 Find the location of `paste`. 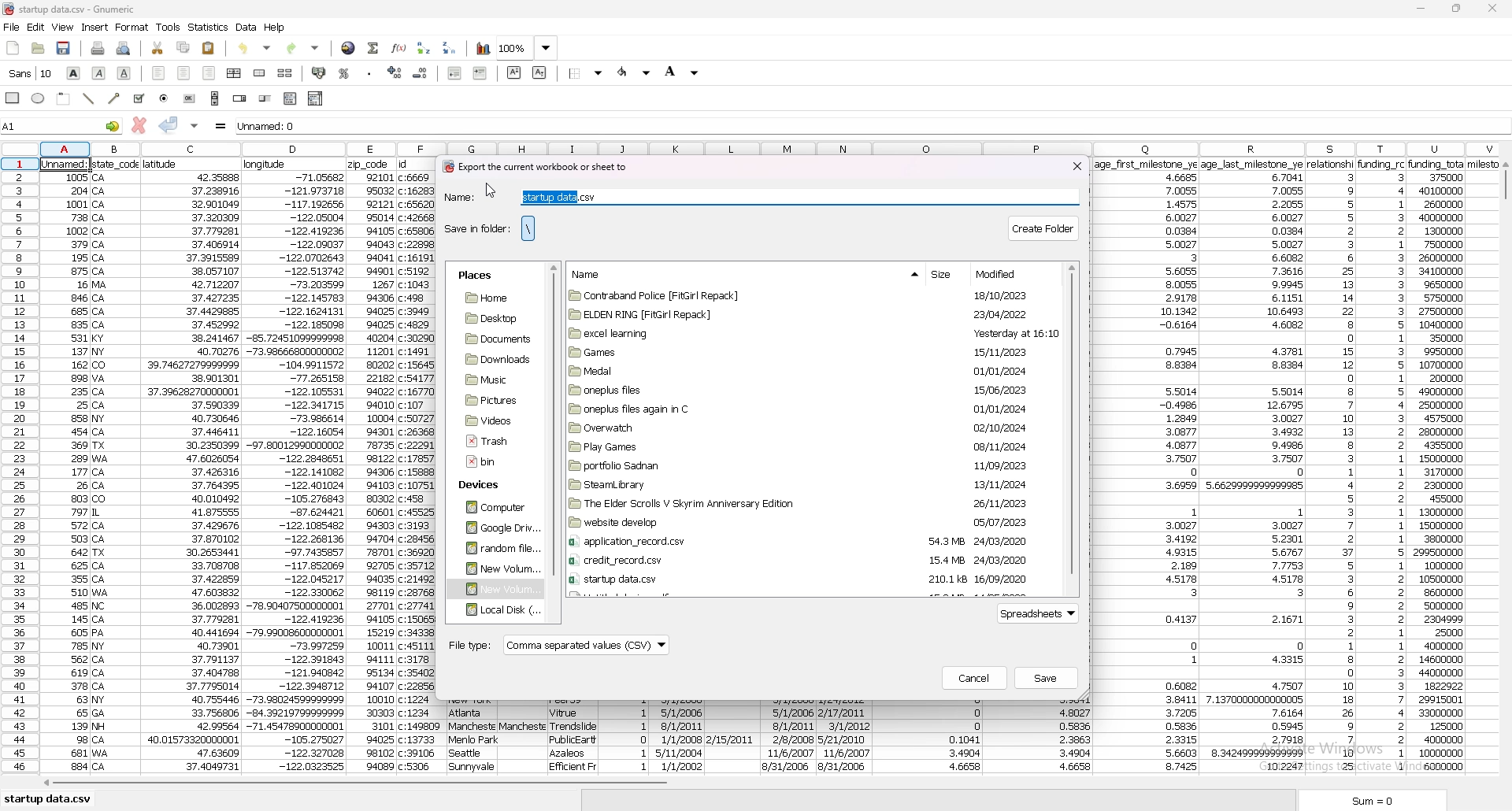

paste is located at coordinates (209, 47).